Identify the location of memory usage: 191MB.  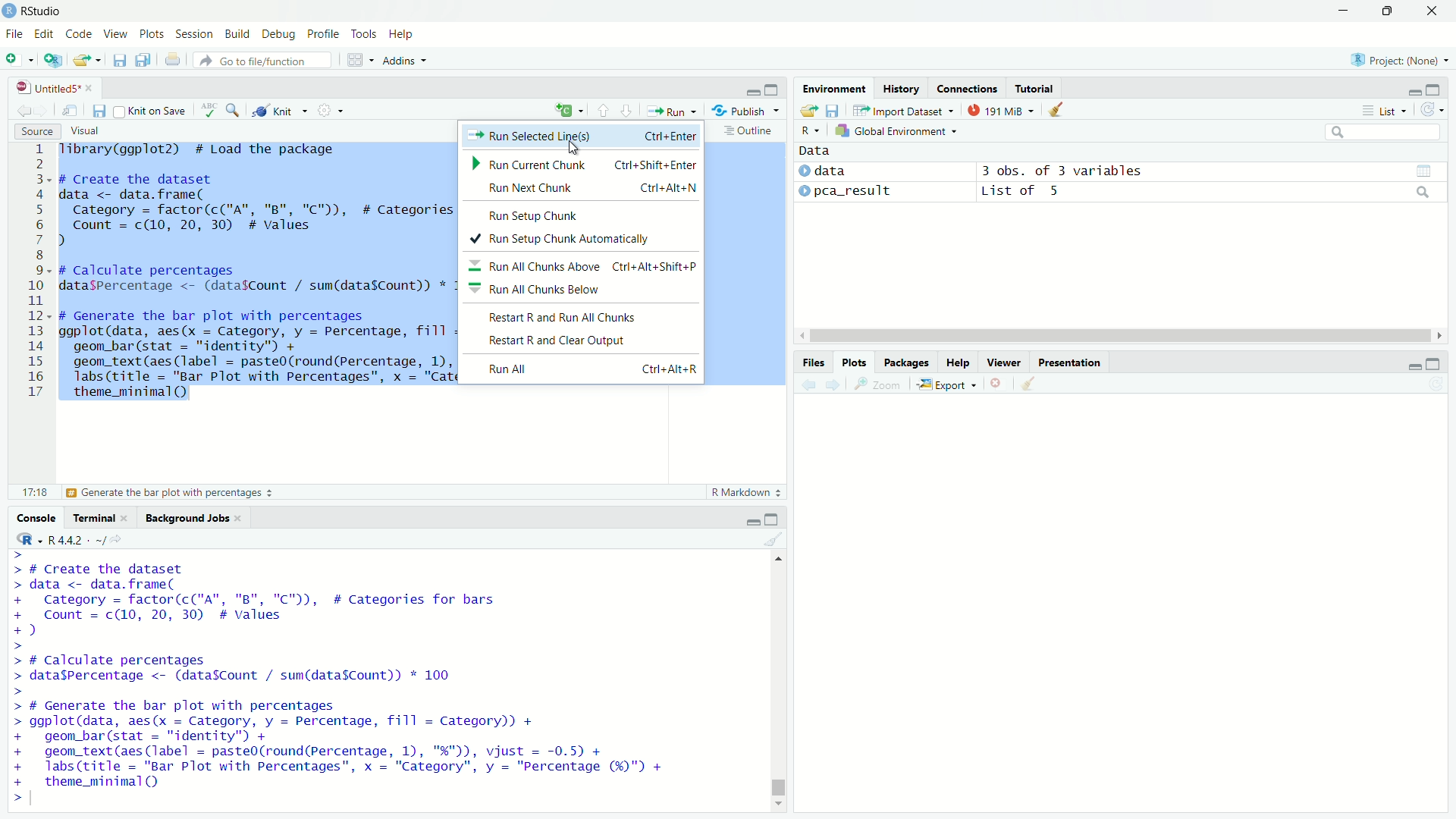
(1003, 109).